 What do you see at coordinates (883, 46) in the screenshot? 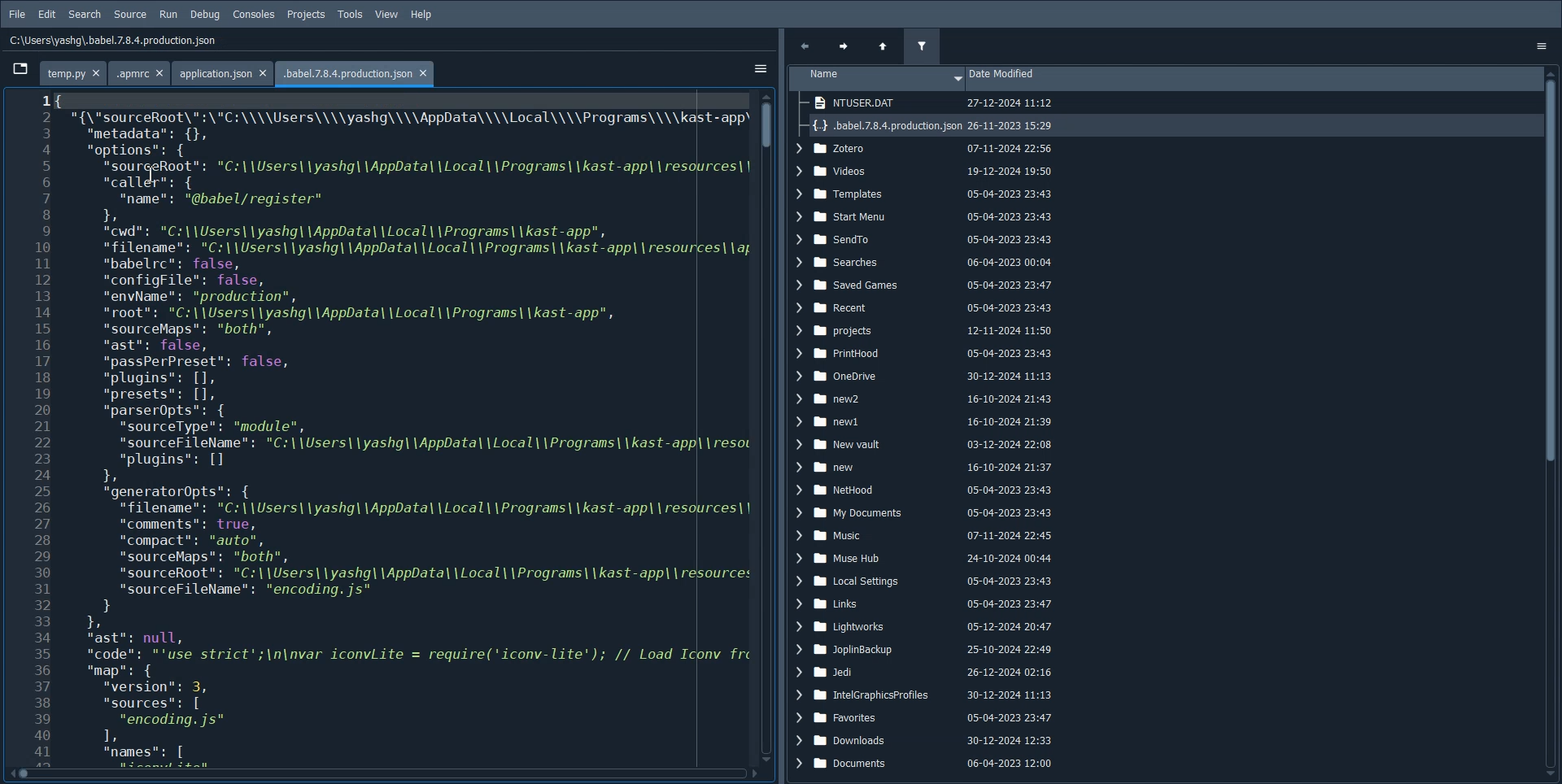
I see `Parent` at bounding box center [883, 46].